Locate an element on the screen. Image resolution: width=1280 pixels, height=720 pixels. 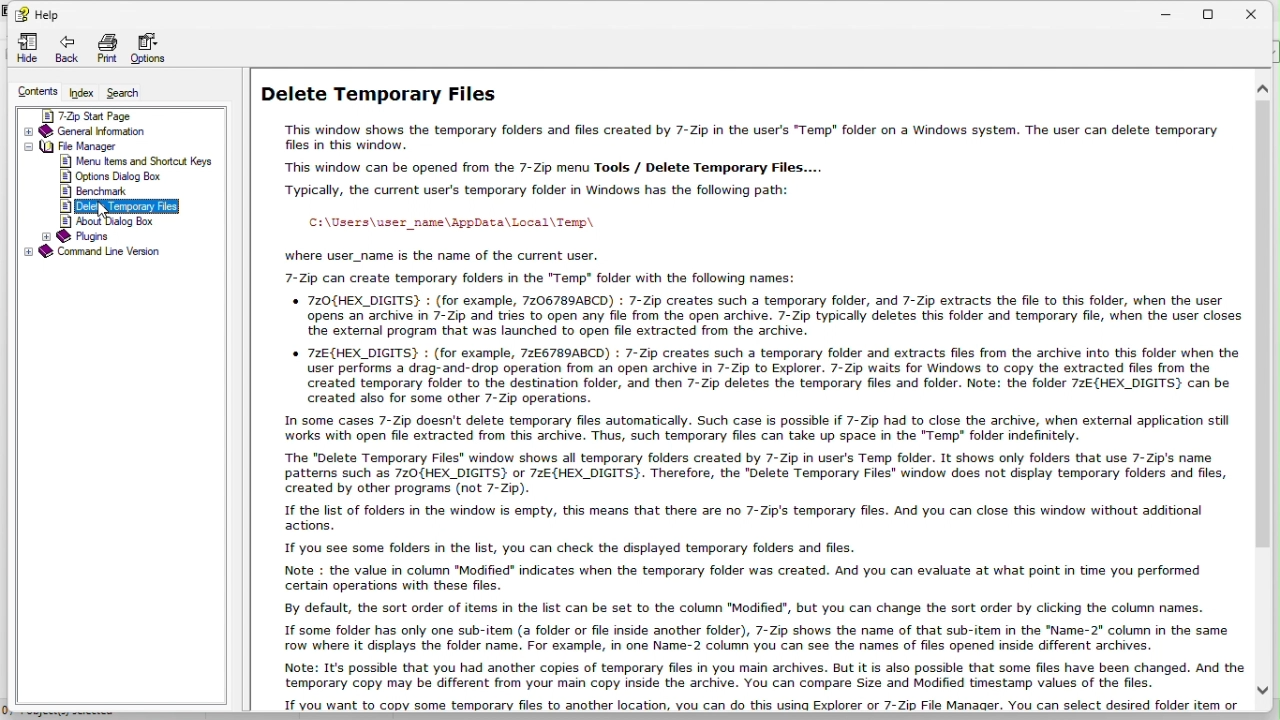
Print is located at coordinates (106, 51).